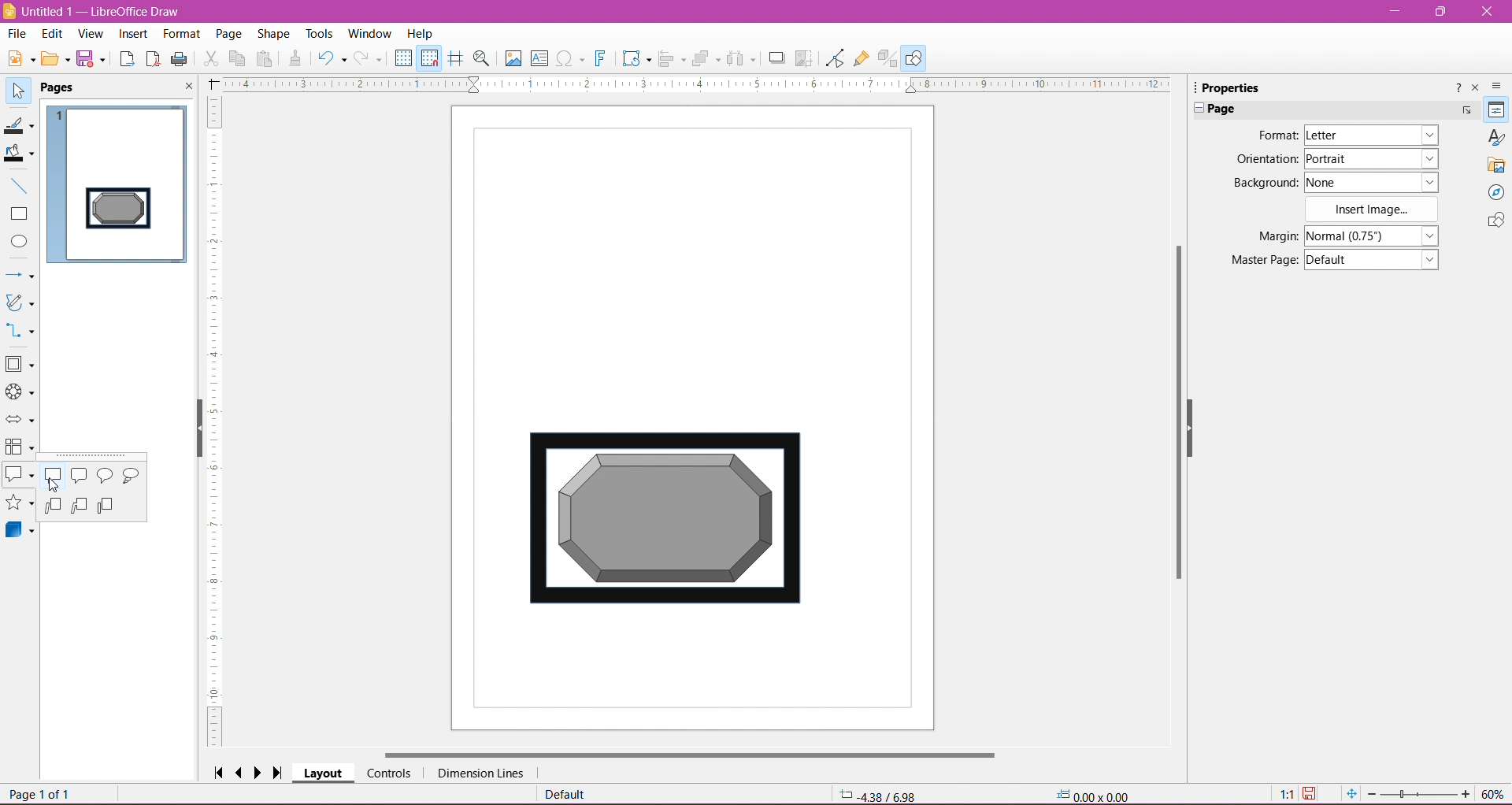 The width and height of the screenshot is (1512, 805). Describe the element at coordinates (56, 61) in the screenshot. I see `Open` at that location.